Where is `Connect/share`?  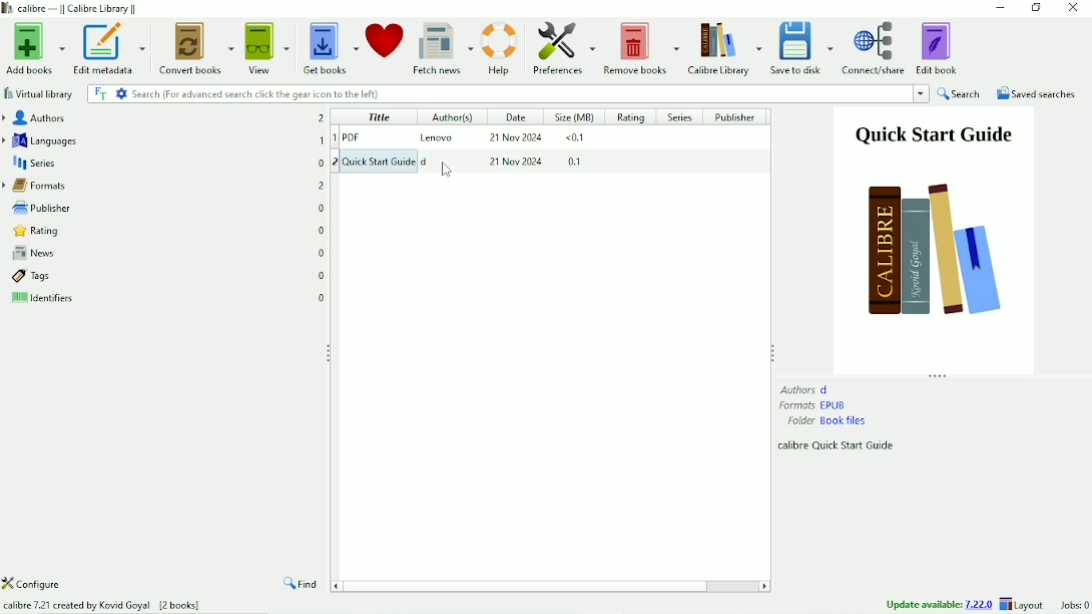 Connect/share is located at coordinates (874, 48).